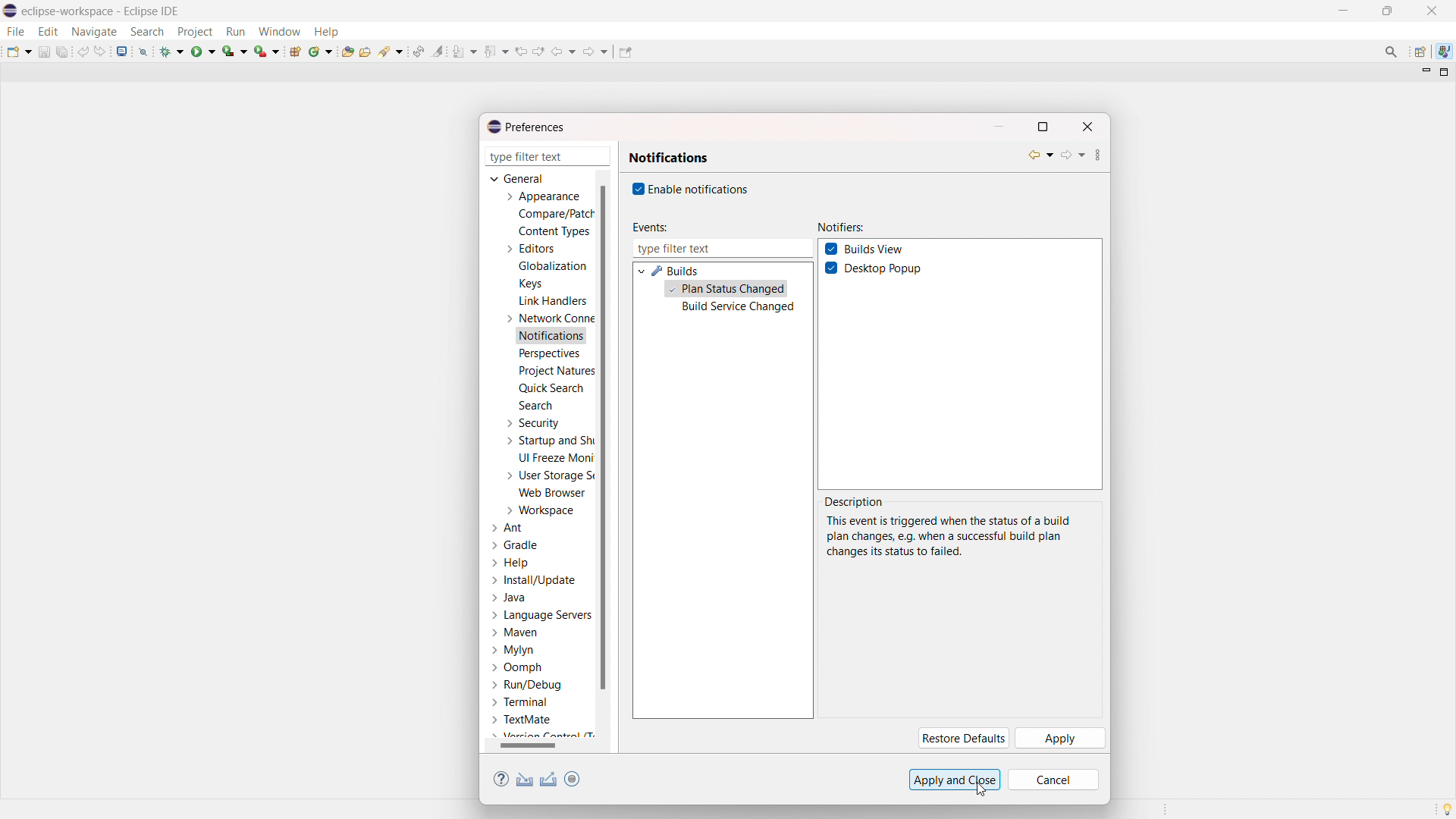 The width and height of the screenshot is (1456, 819). Describe the element at coordinates (418, 51) in the screenshot. I see `toggle ant editor auto reconcile` at that location.